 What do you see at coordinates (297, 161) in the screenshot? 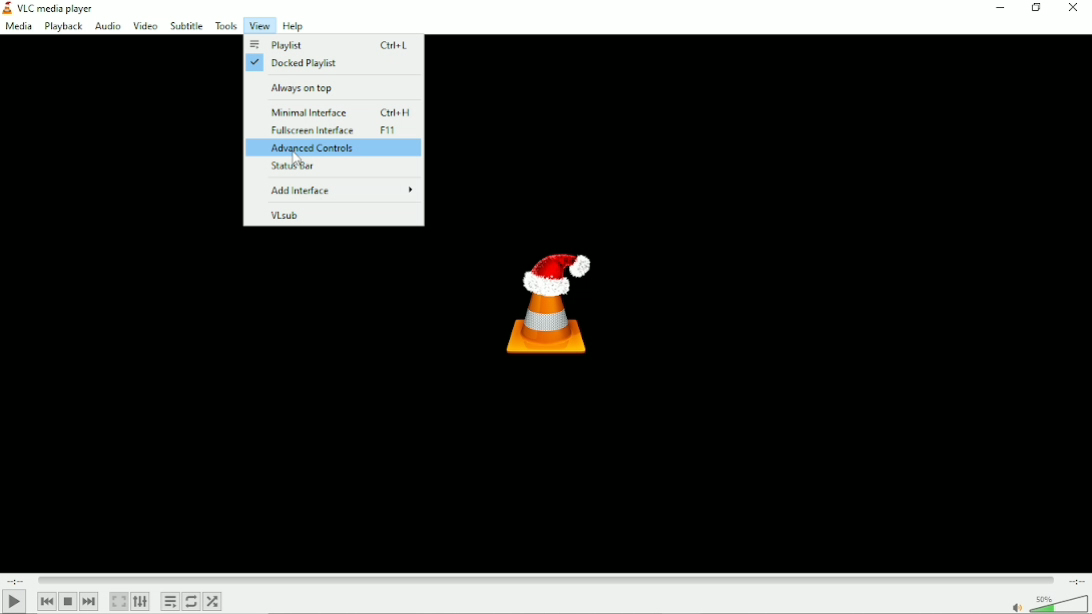
I see `Cursor` at bounding box center [297, 161].